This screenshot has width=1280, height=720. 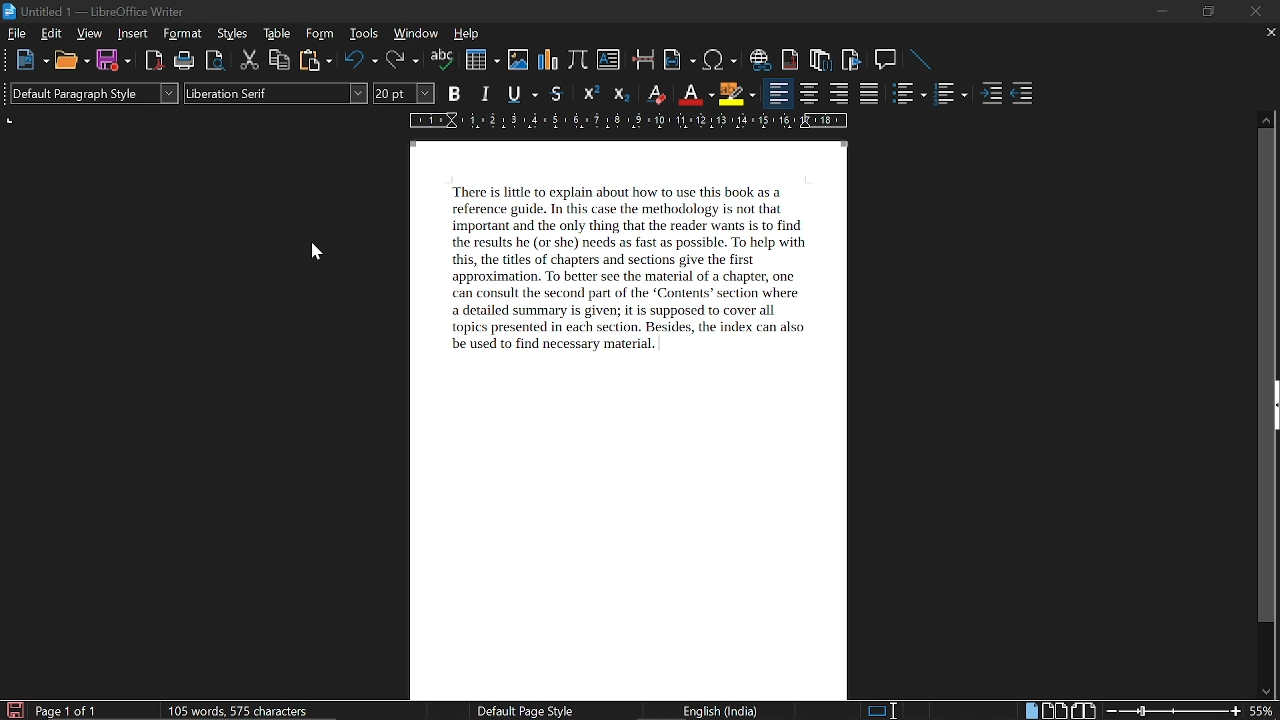 What do you see at coordinates (52, 34) in the screenshot?
I see `edit` at bounding box center [52, 34].